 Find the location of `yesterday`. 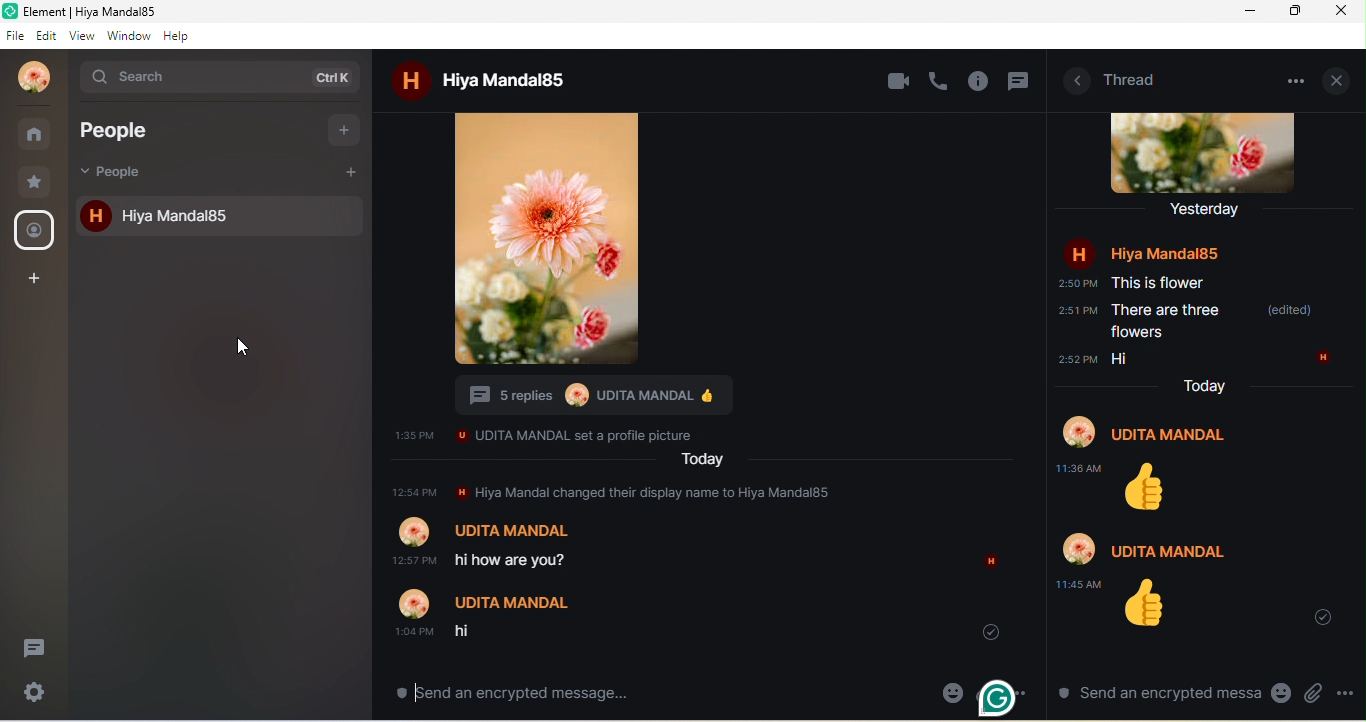

yesterday is located at coordinates (1209, 210).